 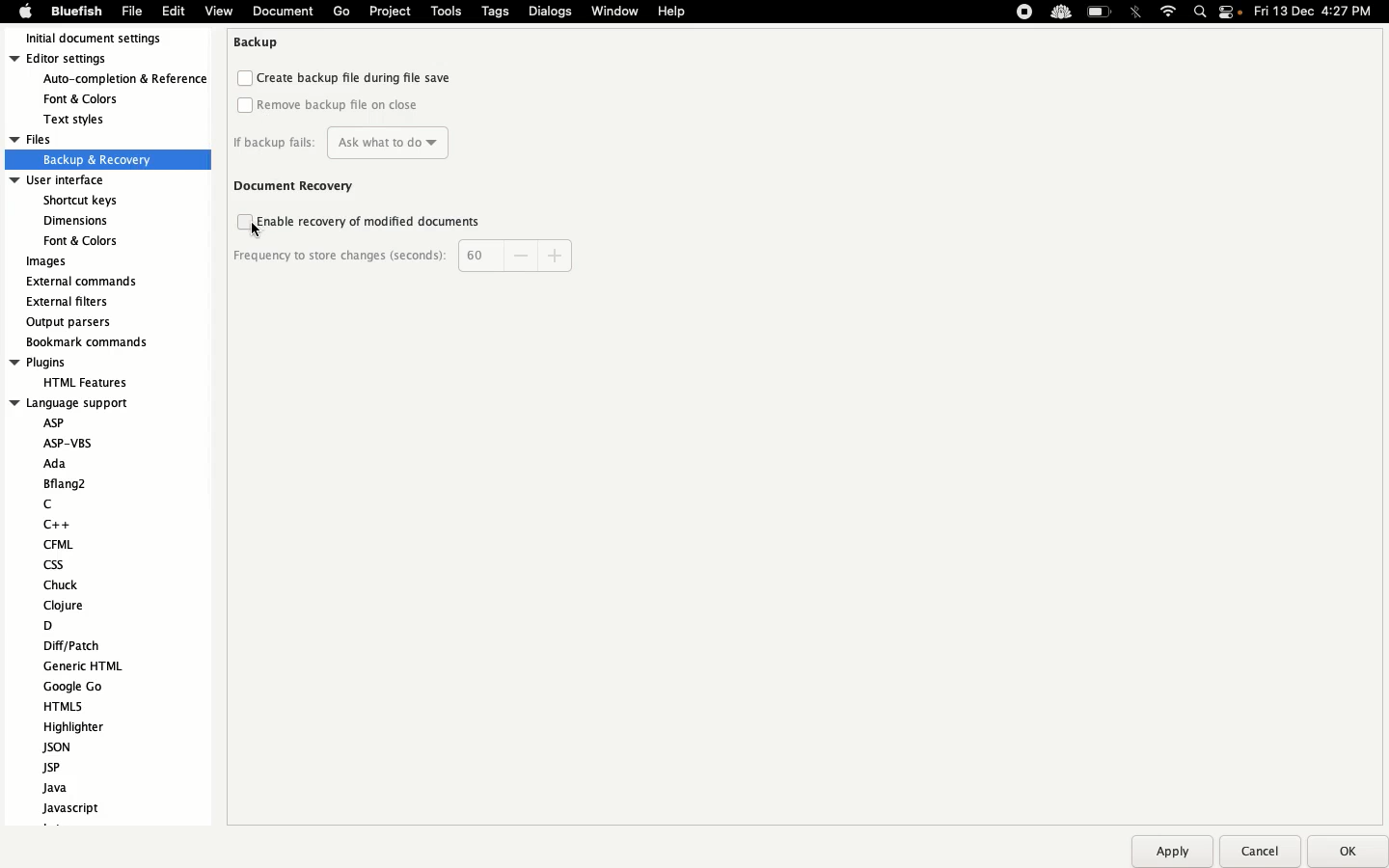 What do you see at coordinates (1199, 13) in the screenshot?
I see `Search` at bounding box center [1199, 13].